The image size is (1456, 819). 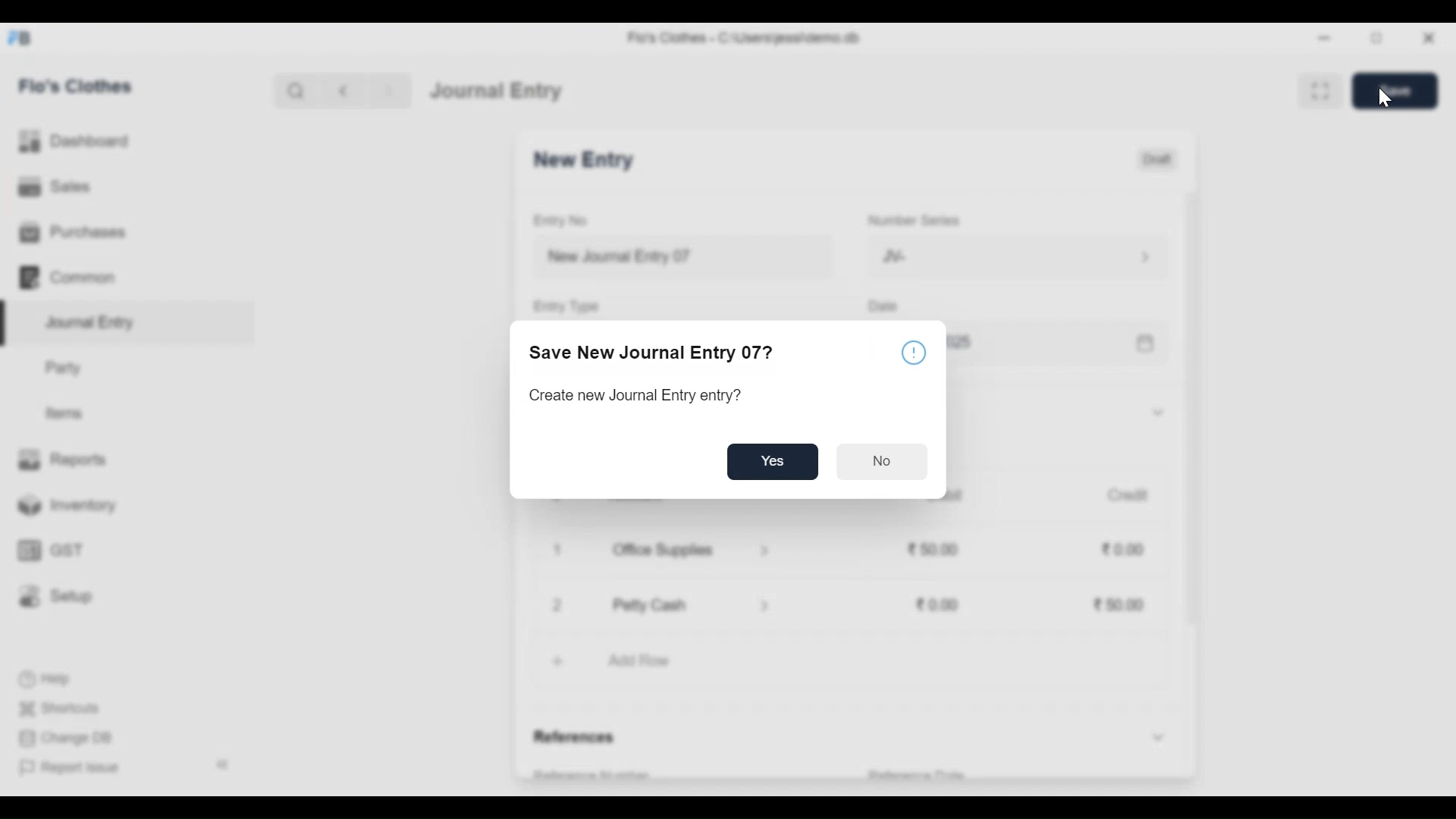 I want to click on Create new Journal Entry entry?, so click(x=639, y=395).